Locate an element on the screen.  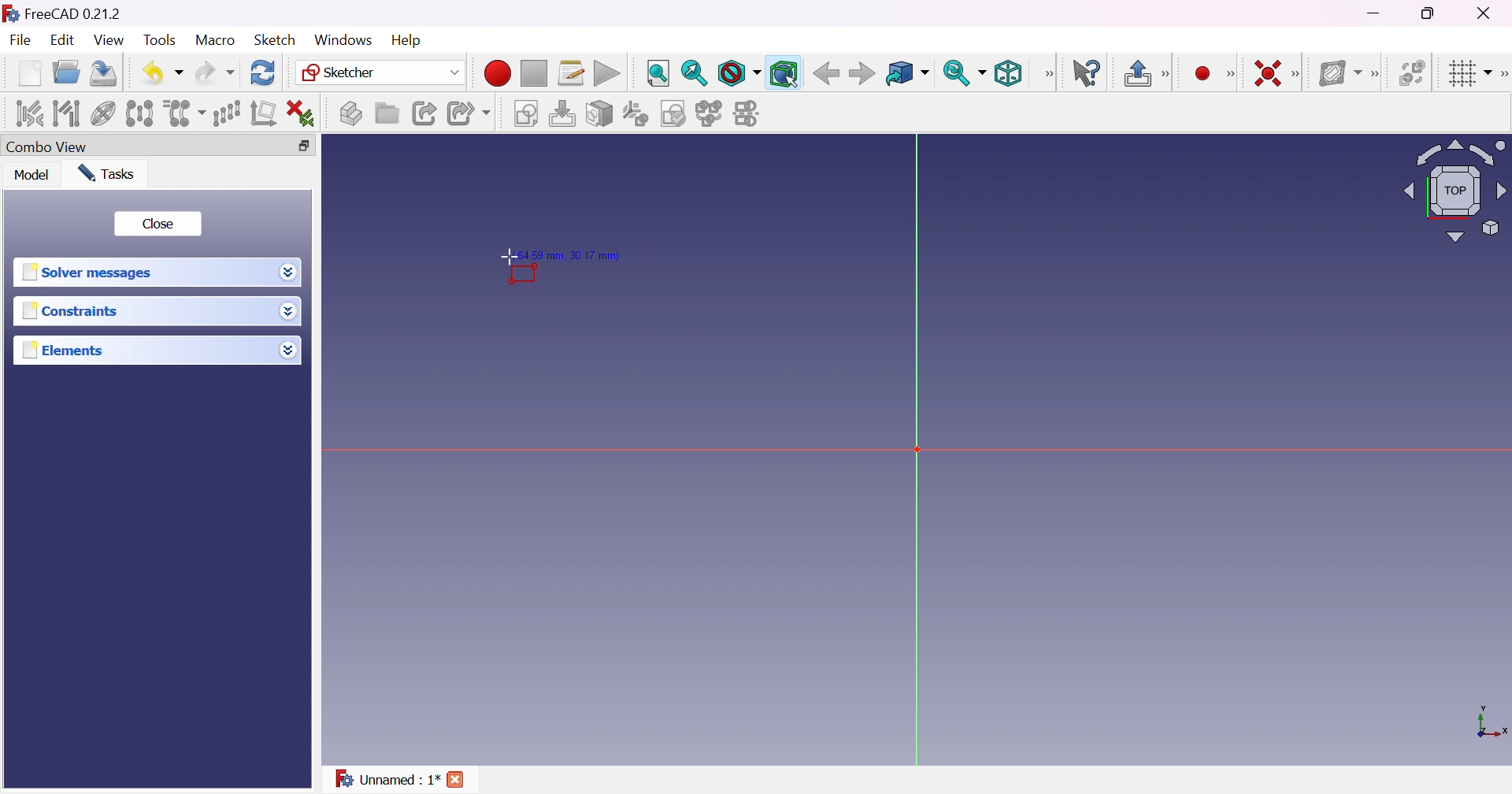
Drop down is located at coordinates (289, 272).